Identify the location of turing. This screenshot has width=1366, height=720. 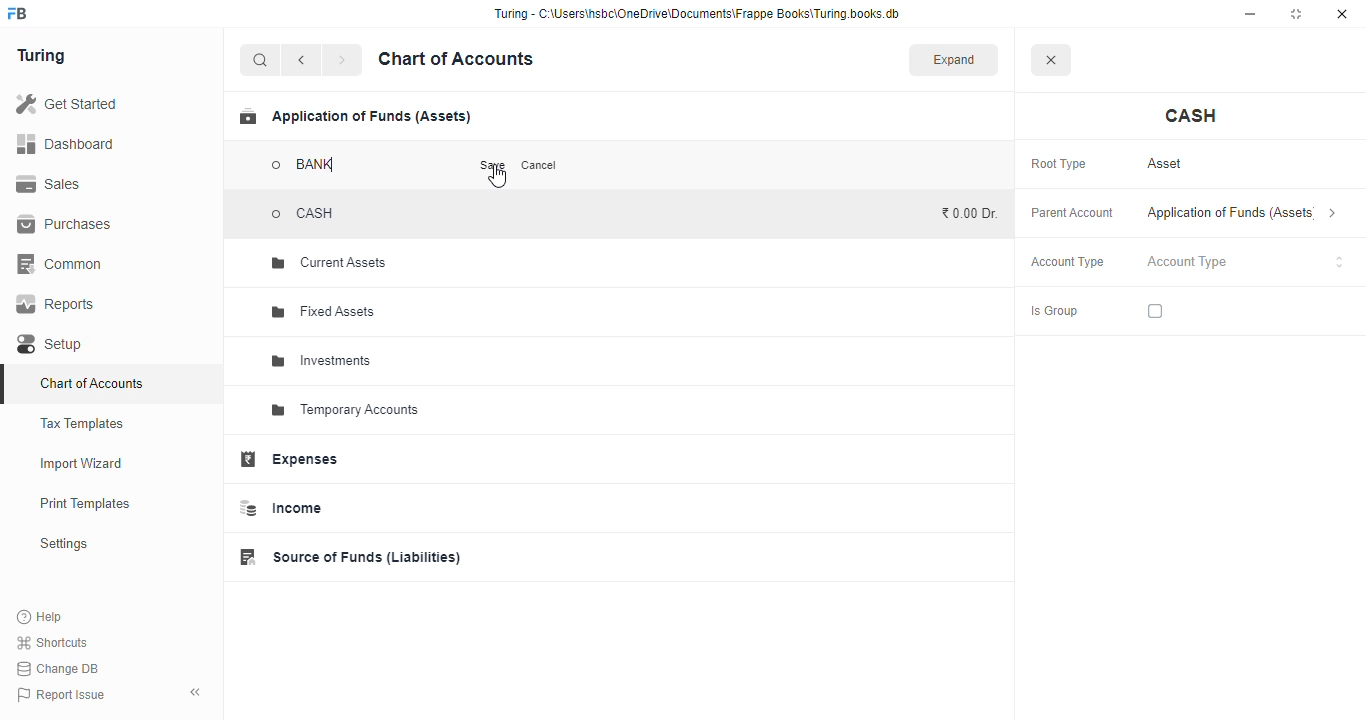
(40, 56).